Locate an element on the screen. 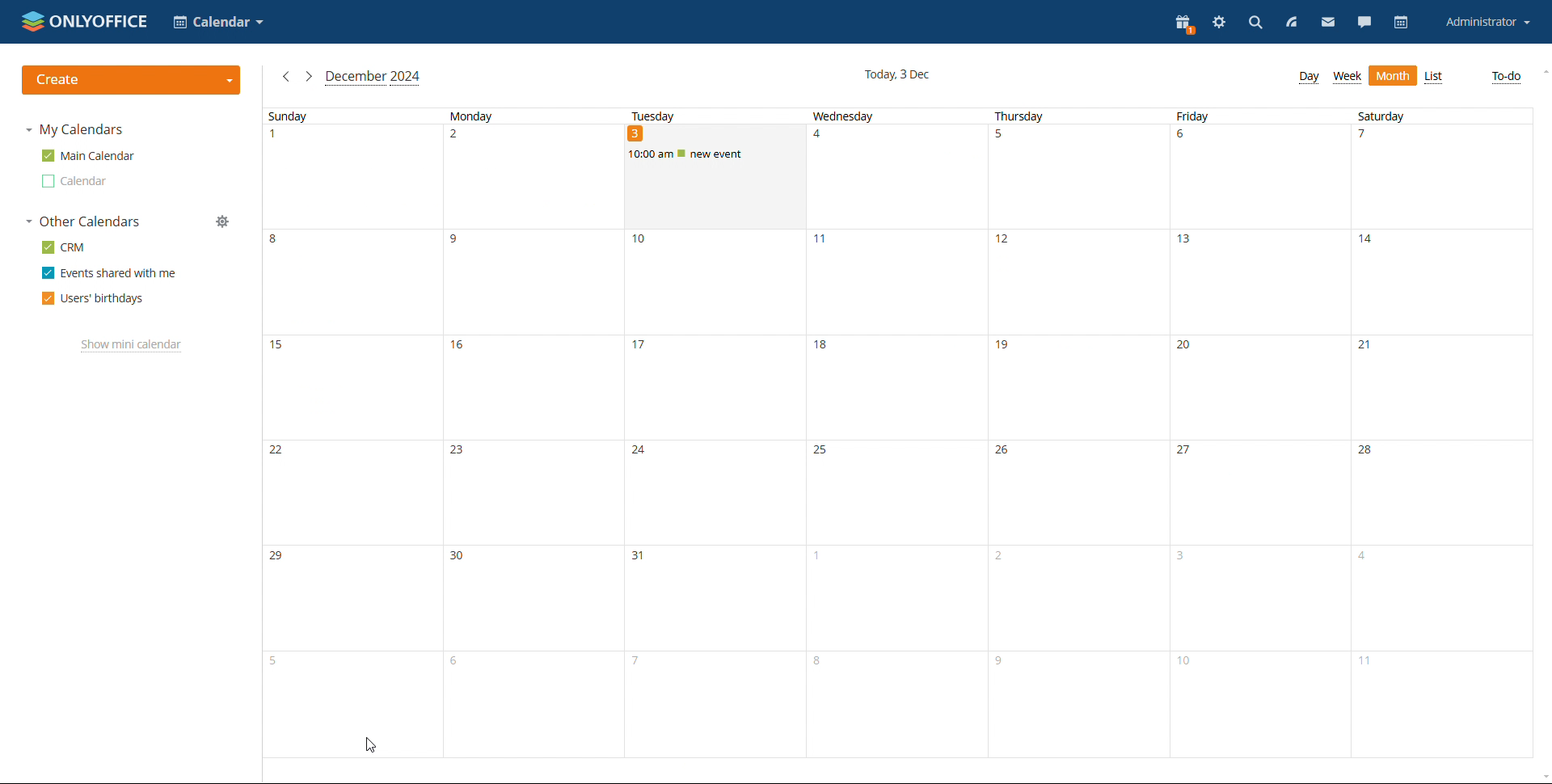 Image resolution: width=1552 pixels, height=784 pixels. 3 is located at coordinates (713, 177).